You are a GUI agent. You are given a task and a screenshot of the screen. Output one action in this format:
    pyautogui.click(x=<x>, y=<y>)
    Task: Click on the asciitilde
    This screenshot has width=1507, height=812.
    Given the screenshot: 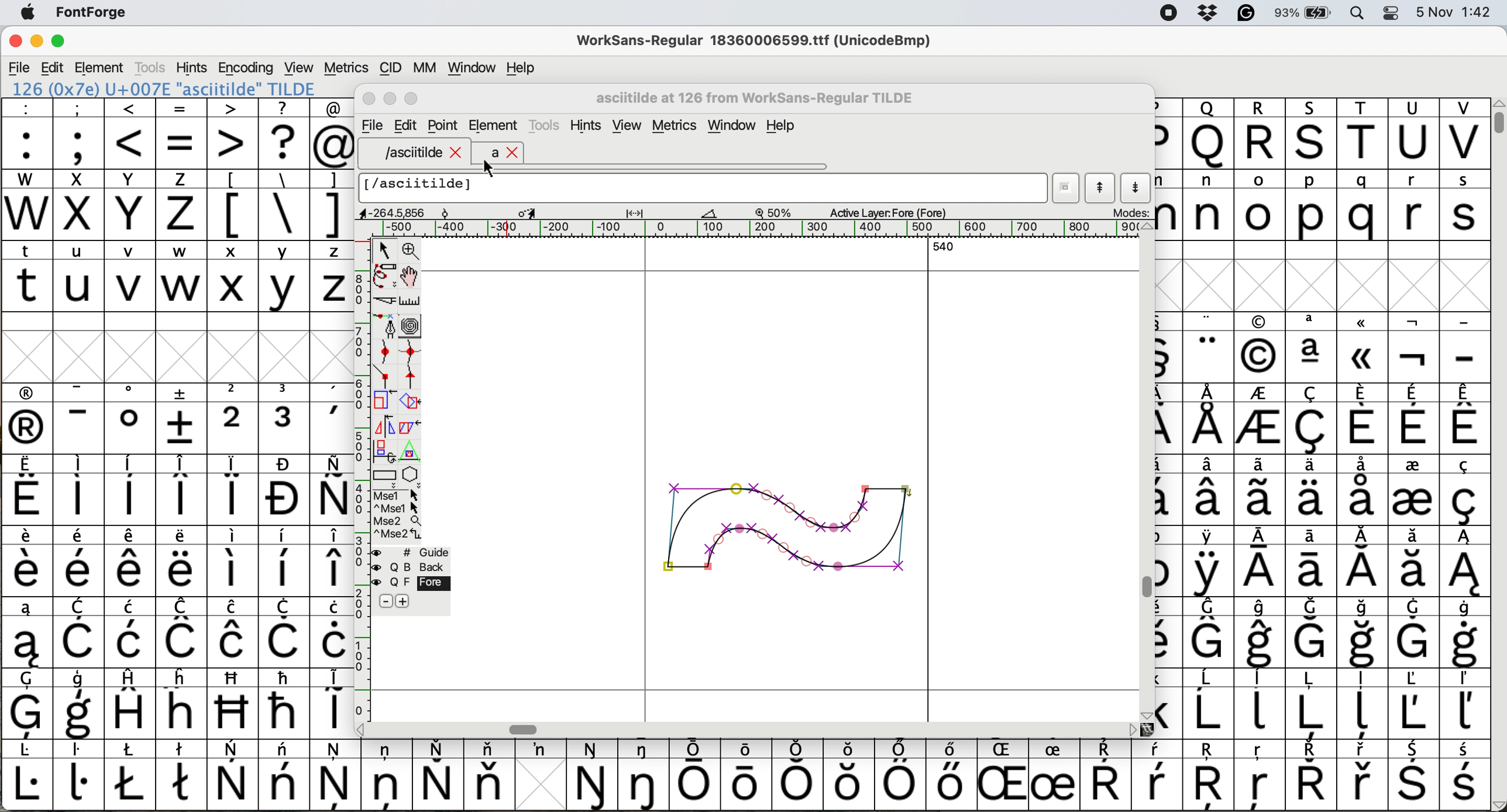 What is the action you would take?
    pyautogui.click(x=421, y=153)
    